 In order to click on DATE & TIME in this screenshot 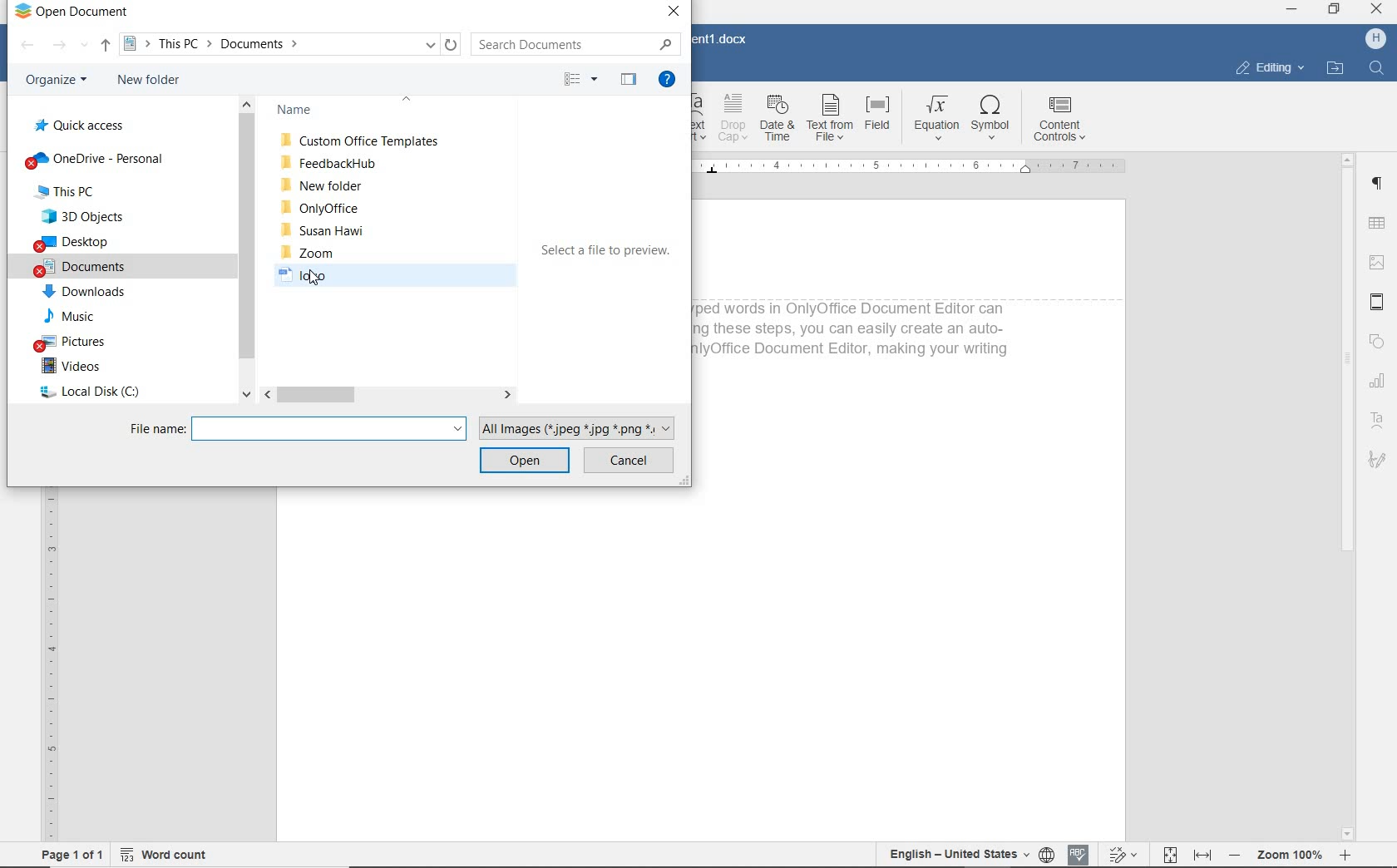, I will do `click(779, 121)`.